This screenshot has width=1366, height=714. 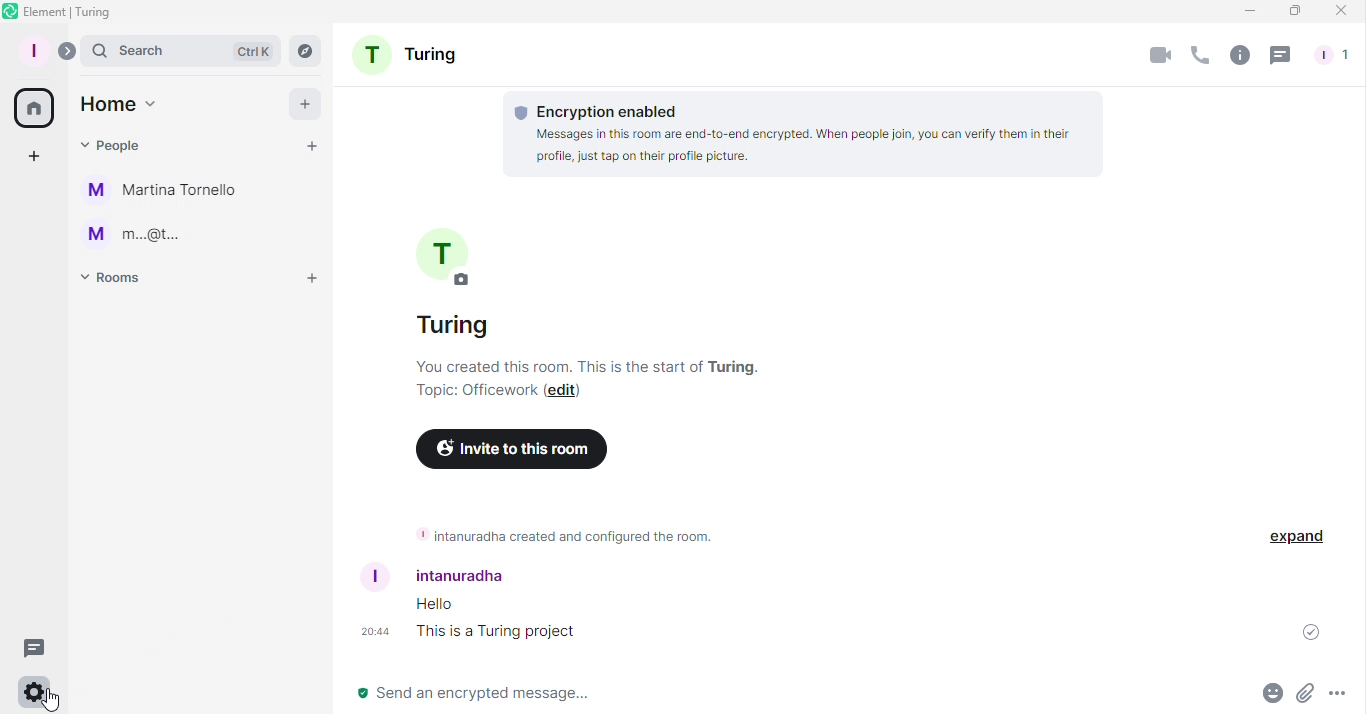 I want to click on Martina Tornello, so click(x=169, y=194).